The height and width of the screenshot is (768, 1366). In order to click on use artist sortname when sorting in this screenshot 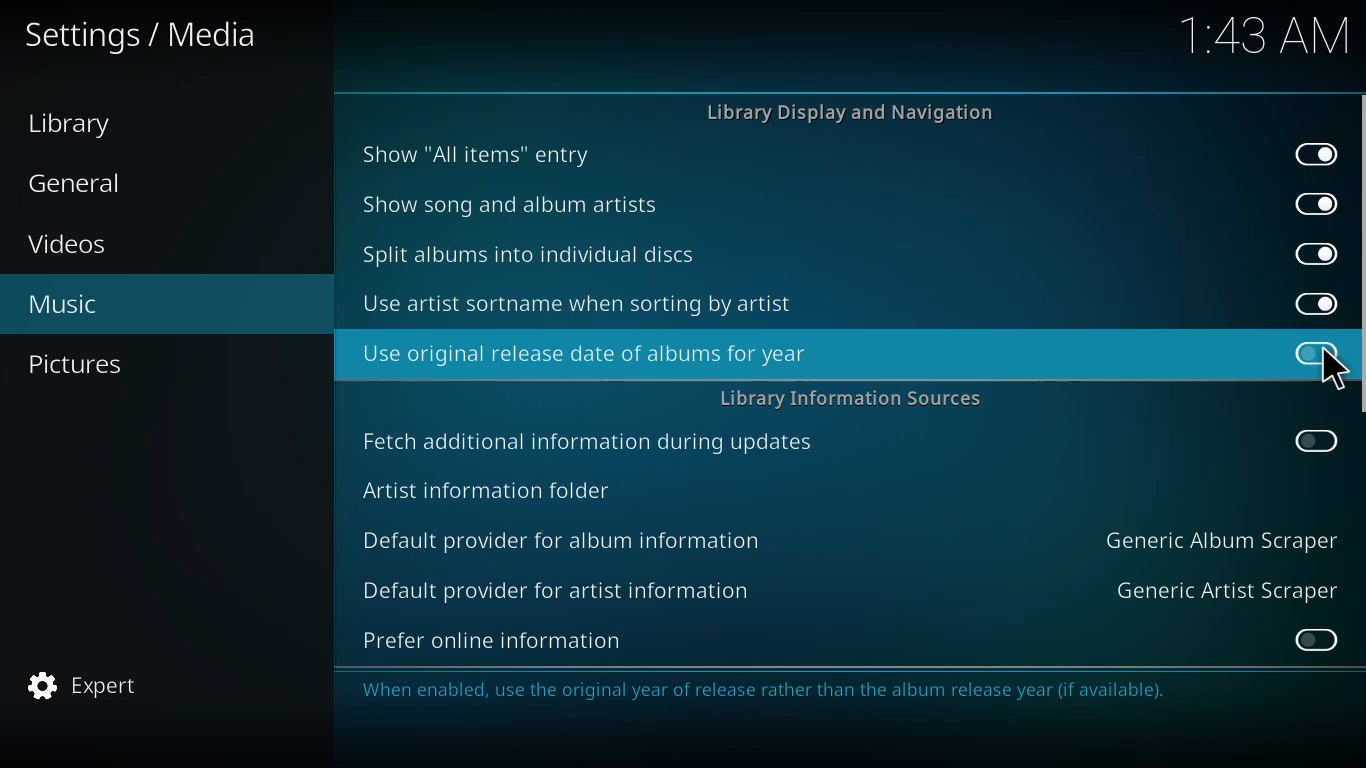, I will do `click(581, 303)`.